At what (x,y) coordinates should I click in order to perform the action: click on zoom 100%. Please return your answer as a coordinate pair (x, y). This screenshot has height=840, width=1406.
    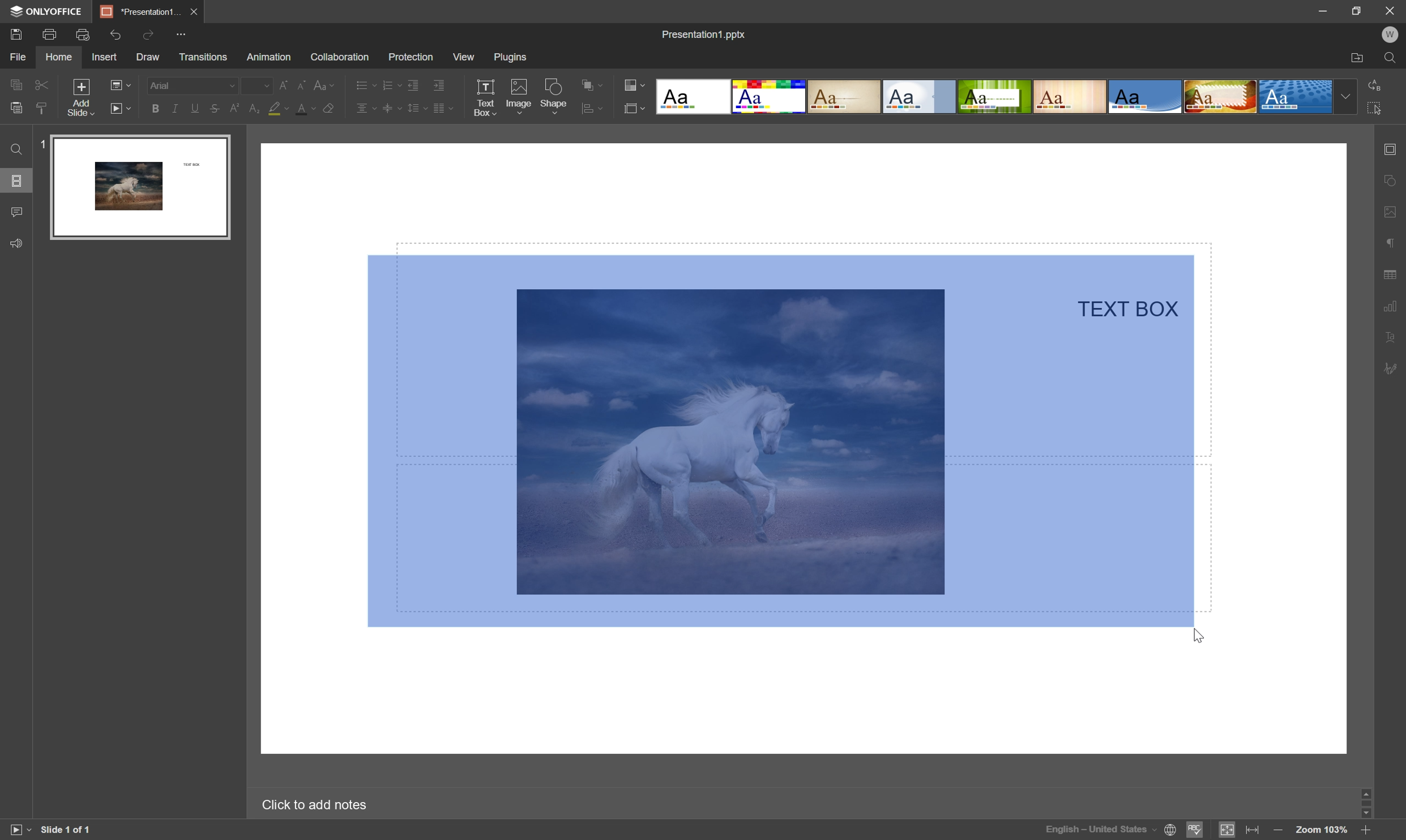
    Looking at the image, I should click on (1322, 831).